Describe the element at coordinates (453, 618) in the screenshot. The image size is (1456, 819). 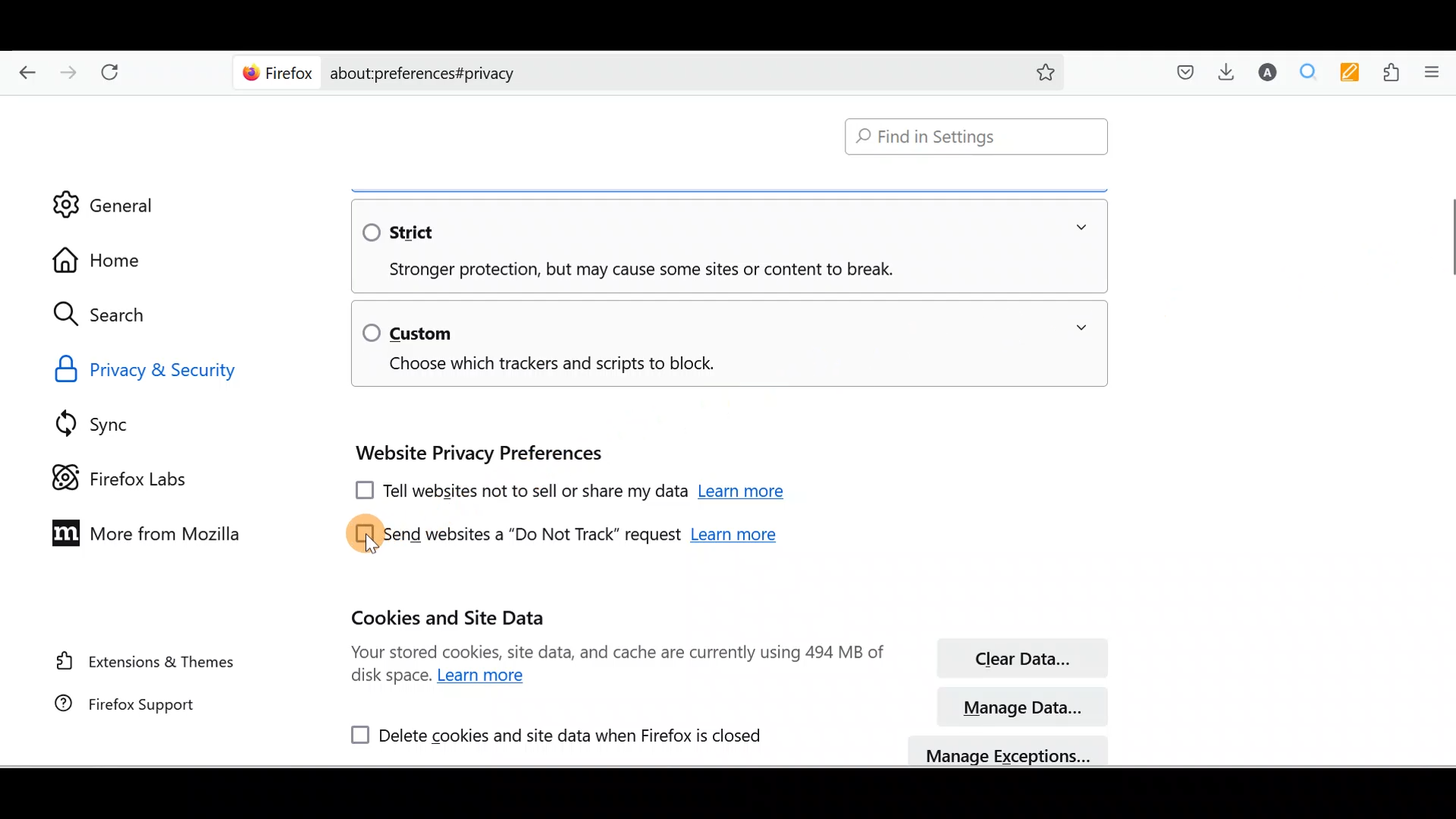
I see `Cookies and site data` at that location.